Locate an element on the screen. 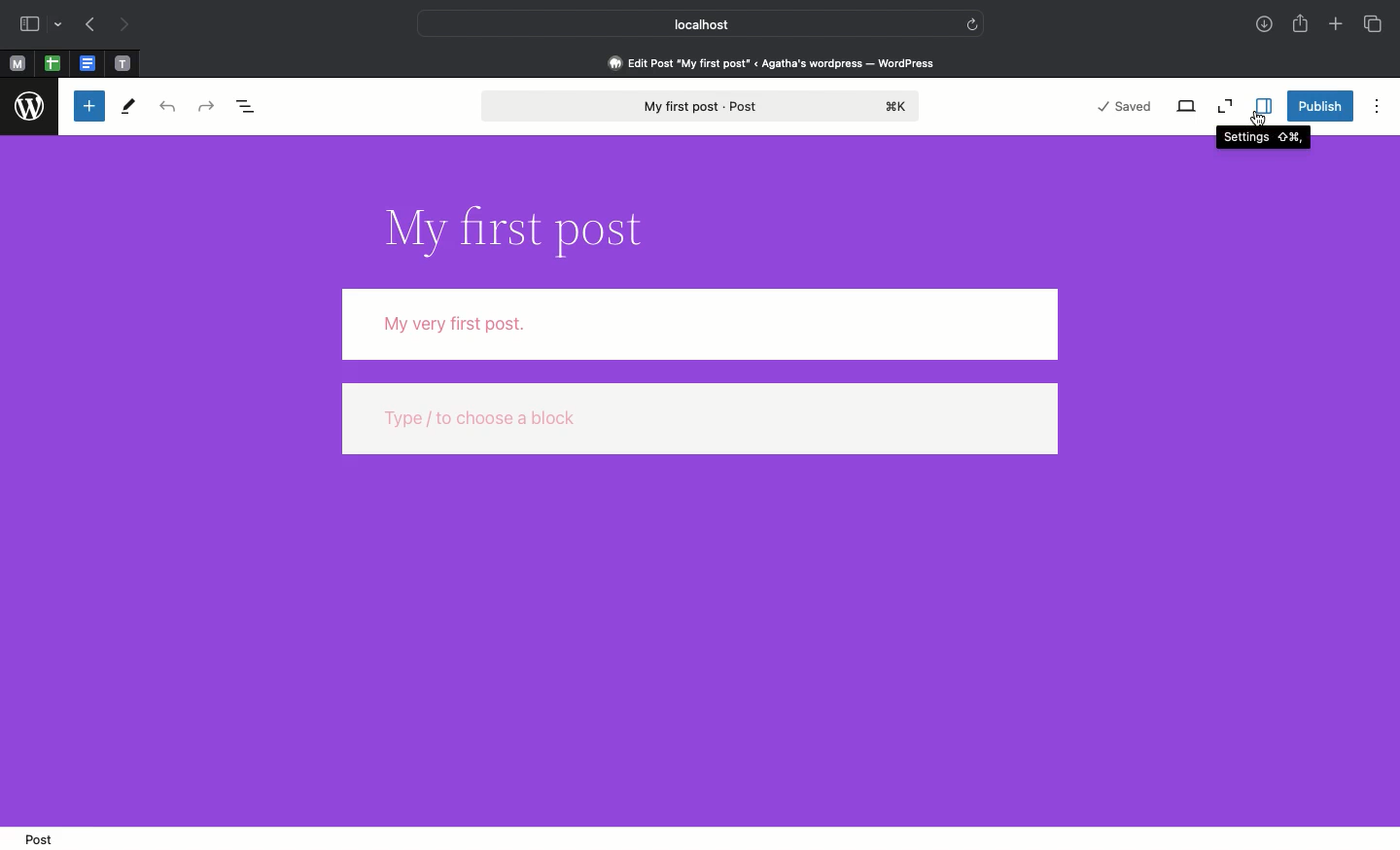 This screenshot has width=1400, height=850. Local host is located at coordinates (686, 21).